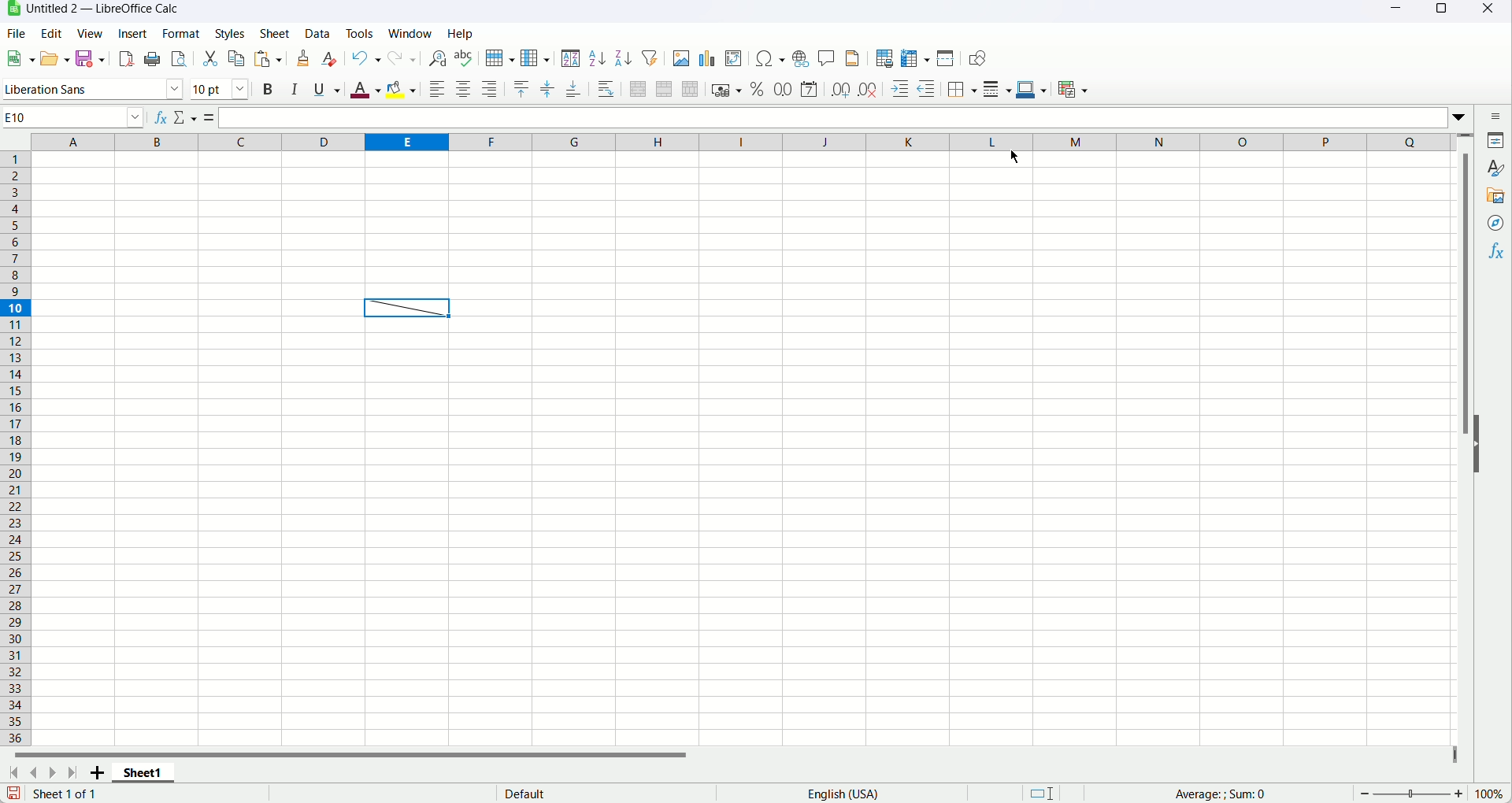 The height and width of the screenshot is (803, 1512). Describe the element at coordinates (128, 60) in the screenshot. I see `Export directly as pdf` at that location.